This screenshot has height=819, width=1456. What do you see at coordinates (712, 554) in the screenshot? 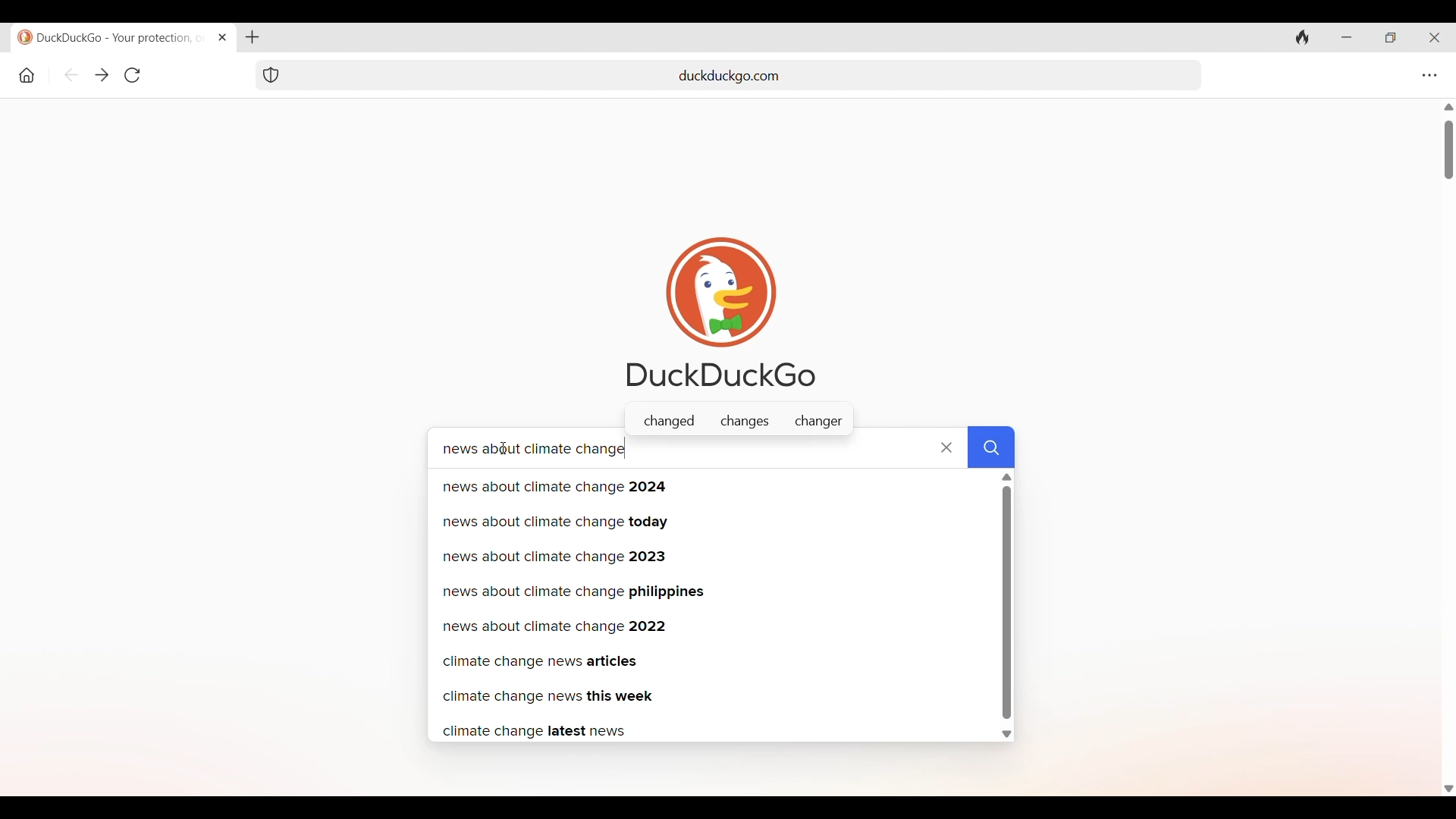
I see `News about climate change 2023` at bounding box center [712, 554].